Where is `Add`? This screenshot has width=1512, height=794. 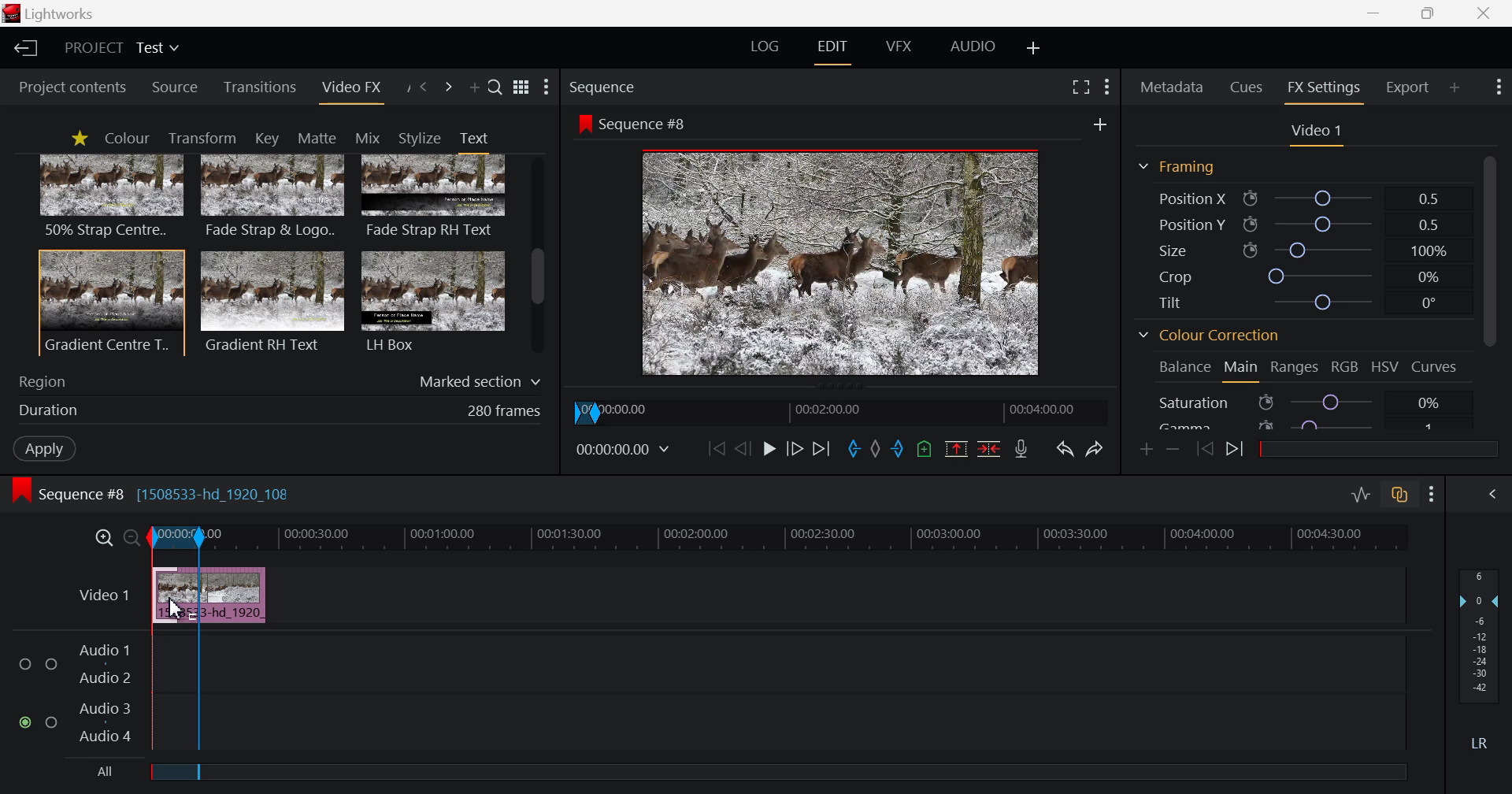 Add is located at coordinates (1095, 123).